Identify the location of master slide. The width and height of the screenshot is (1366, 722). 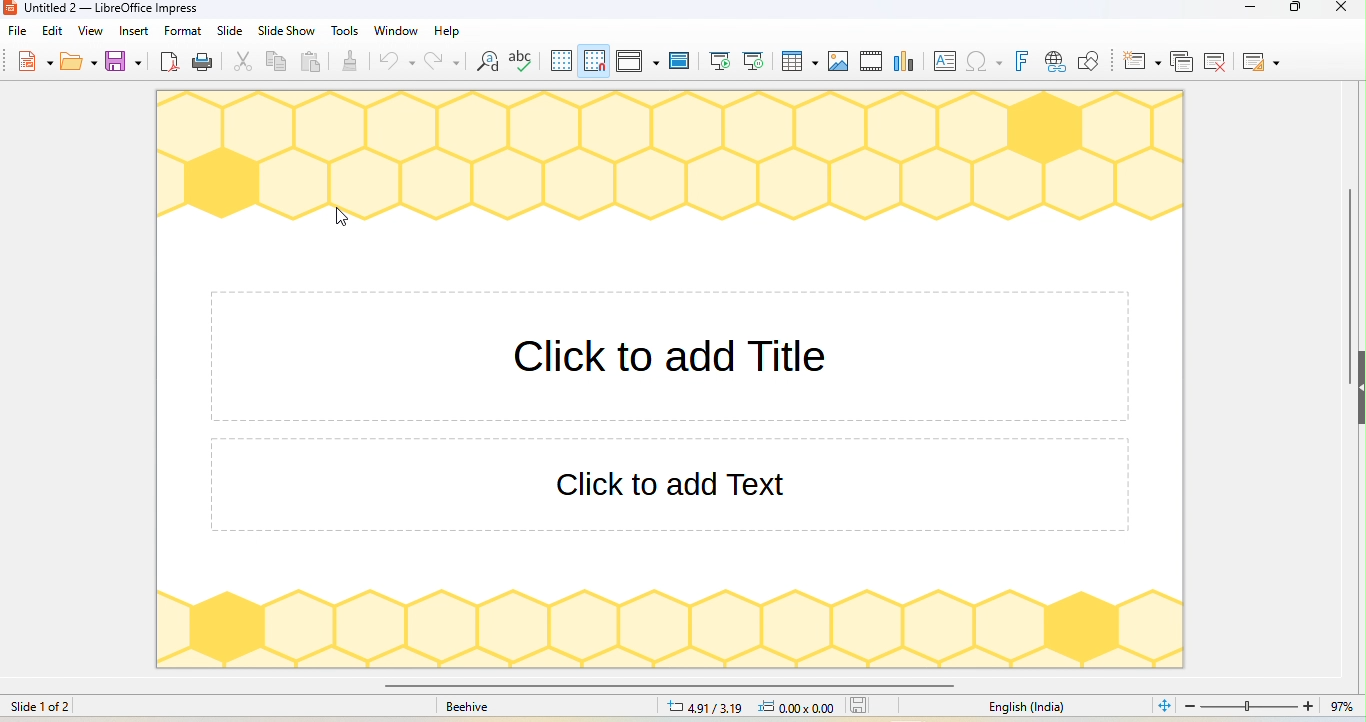
(680, 60).